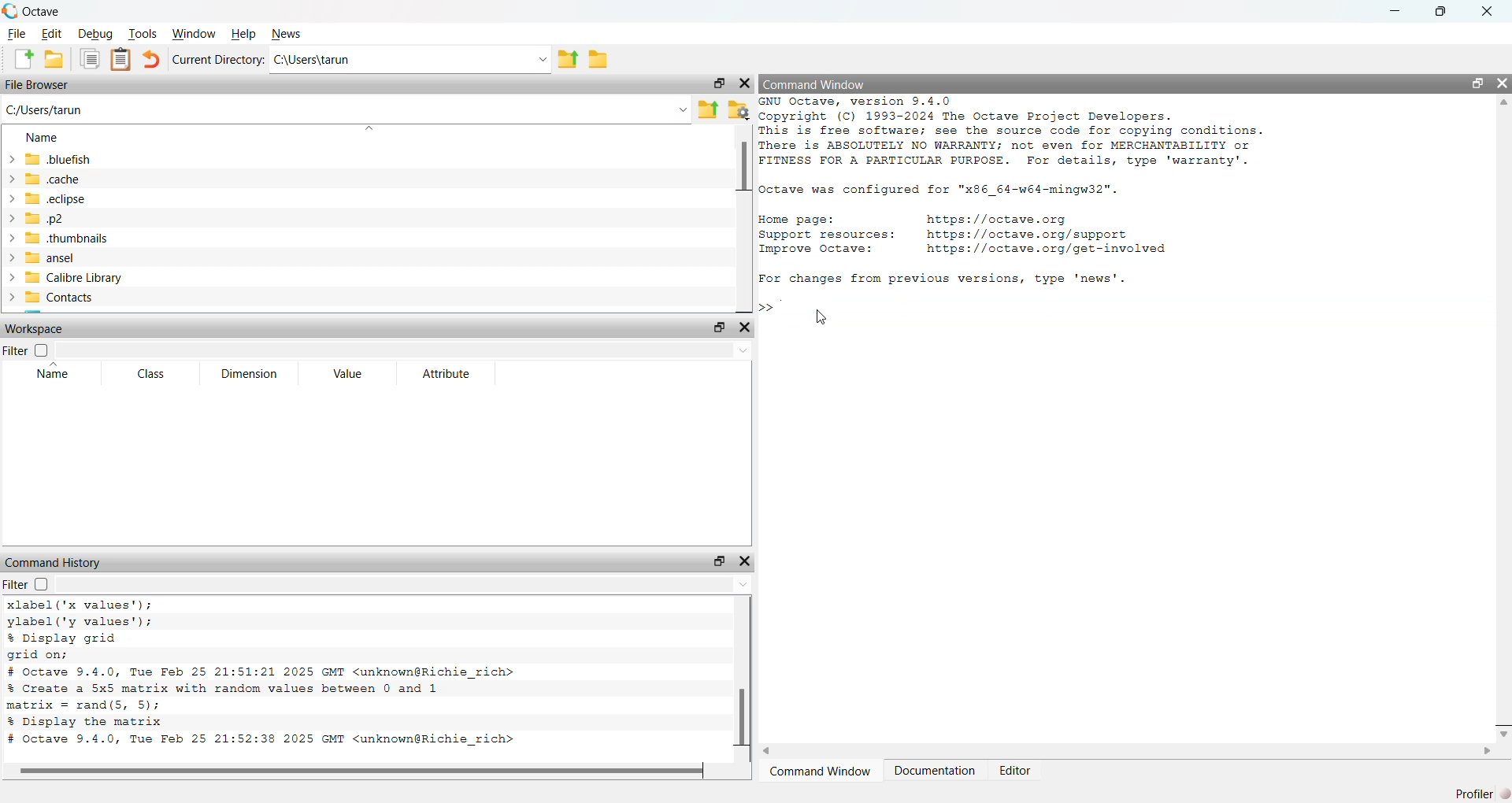  I want to click on maximise, so click(1438, 11).